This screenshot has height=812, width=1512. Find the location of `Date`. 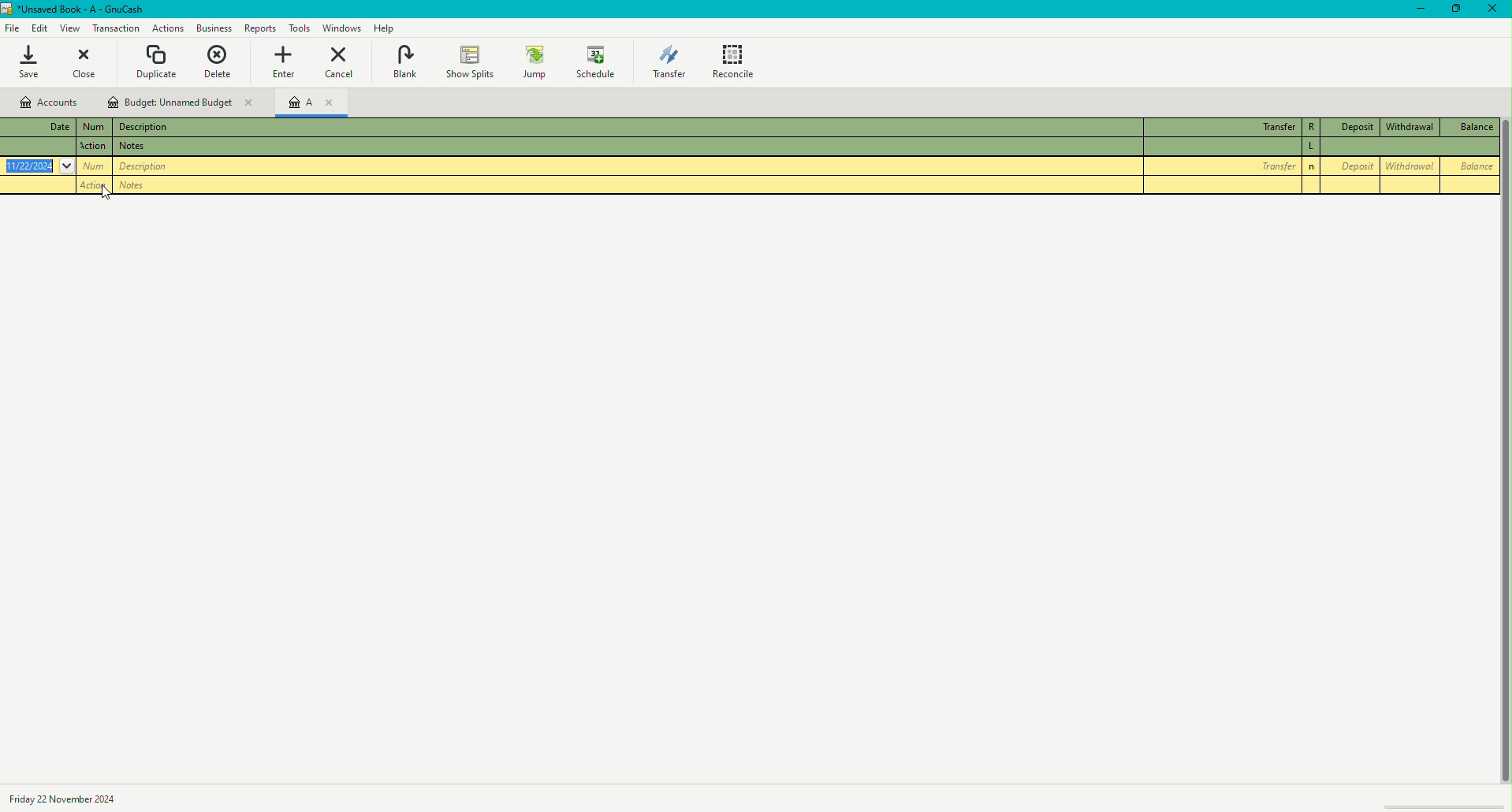

Date is located at coordinates (35, 127).